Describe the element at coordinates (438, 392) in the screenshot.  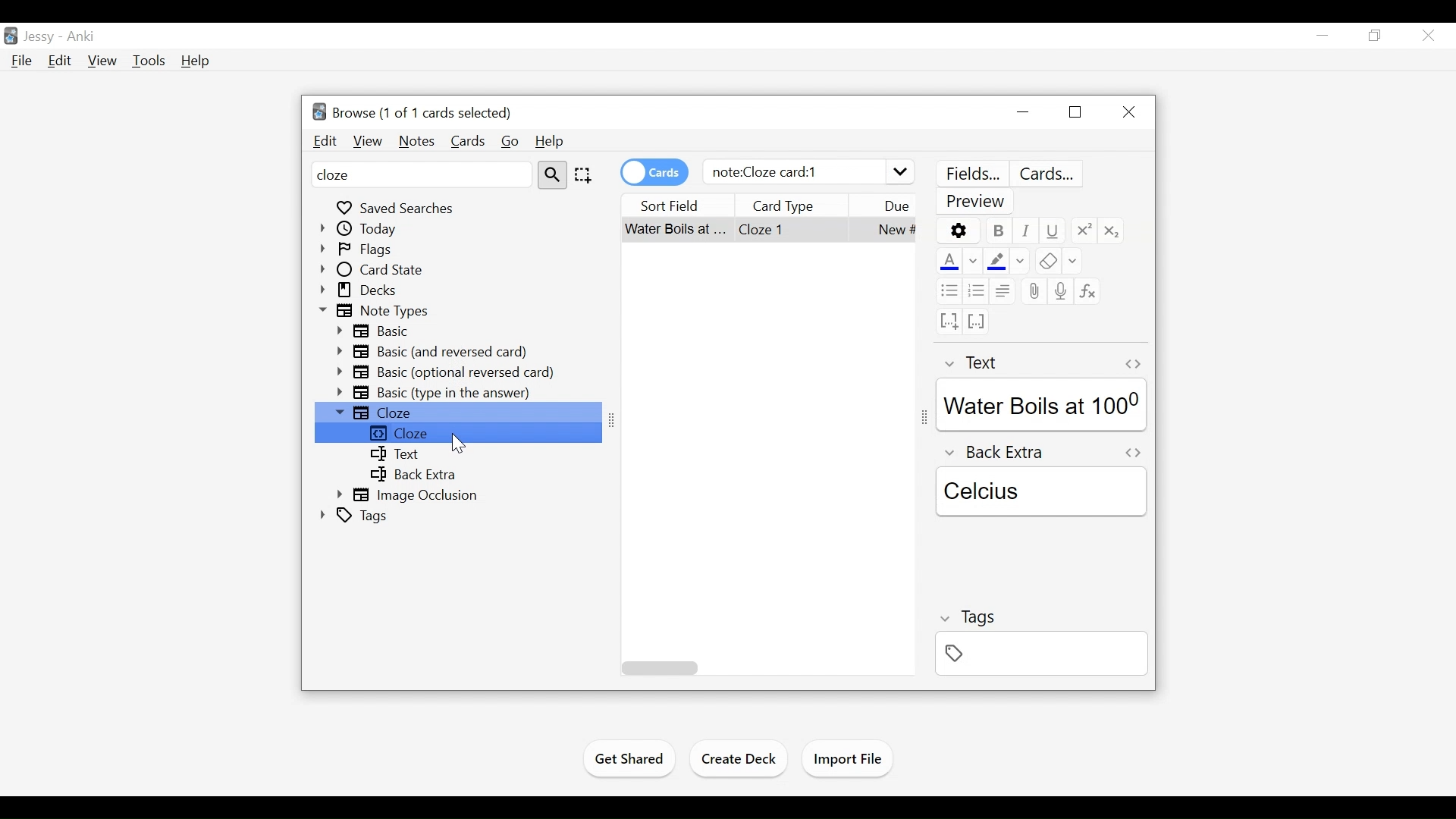
I see `Basic (type in the answer)` at that location.